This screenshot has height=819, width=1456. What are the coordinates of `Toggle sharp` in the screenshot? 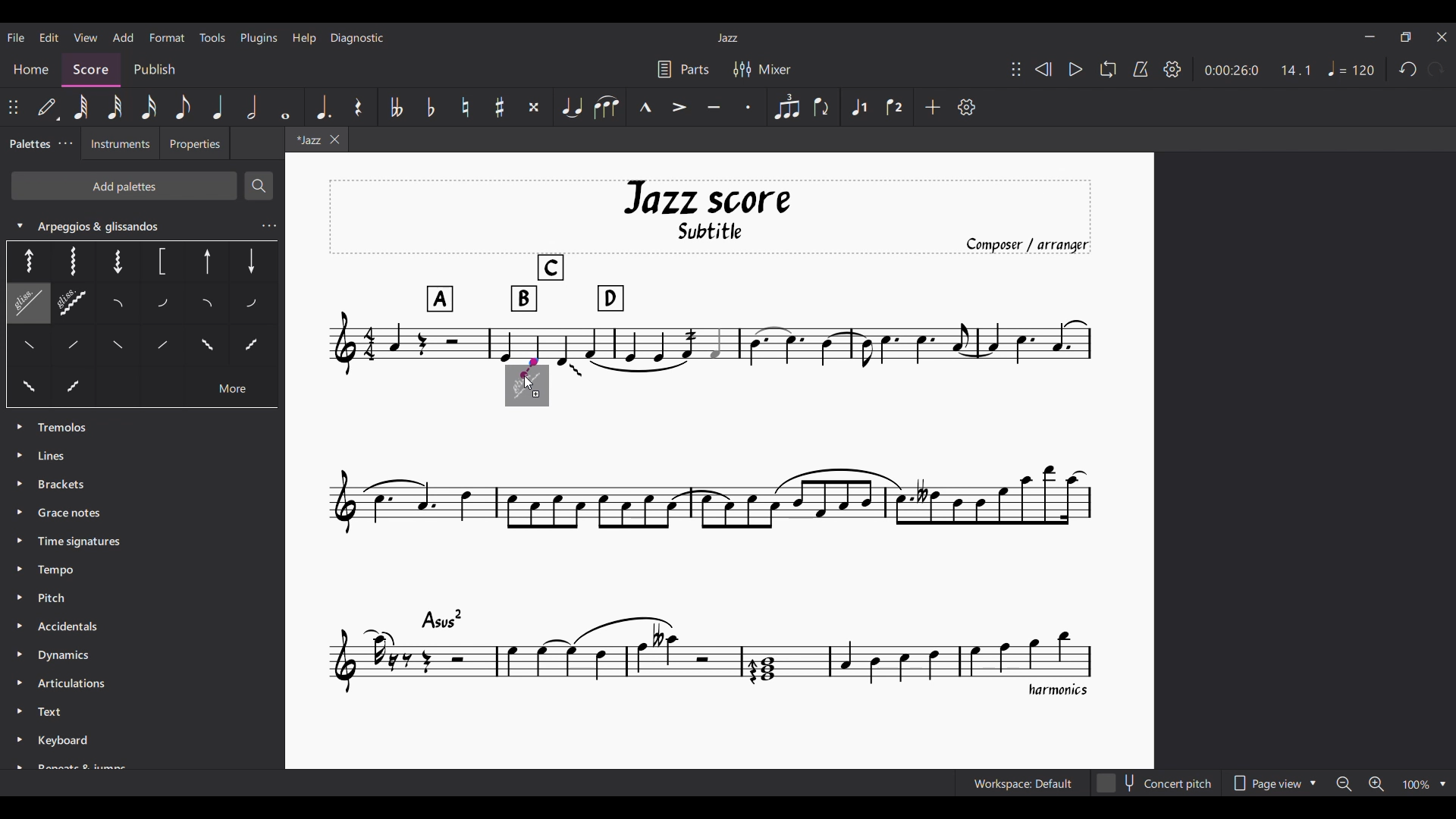 It's located at (500, 107).